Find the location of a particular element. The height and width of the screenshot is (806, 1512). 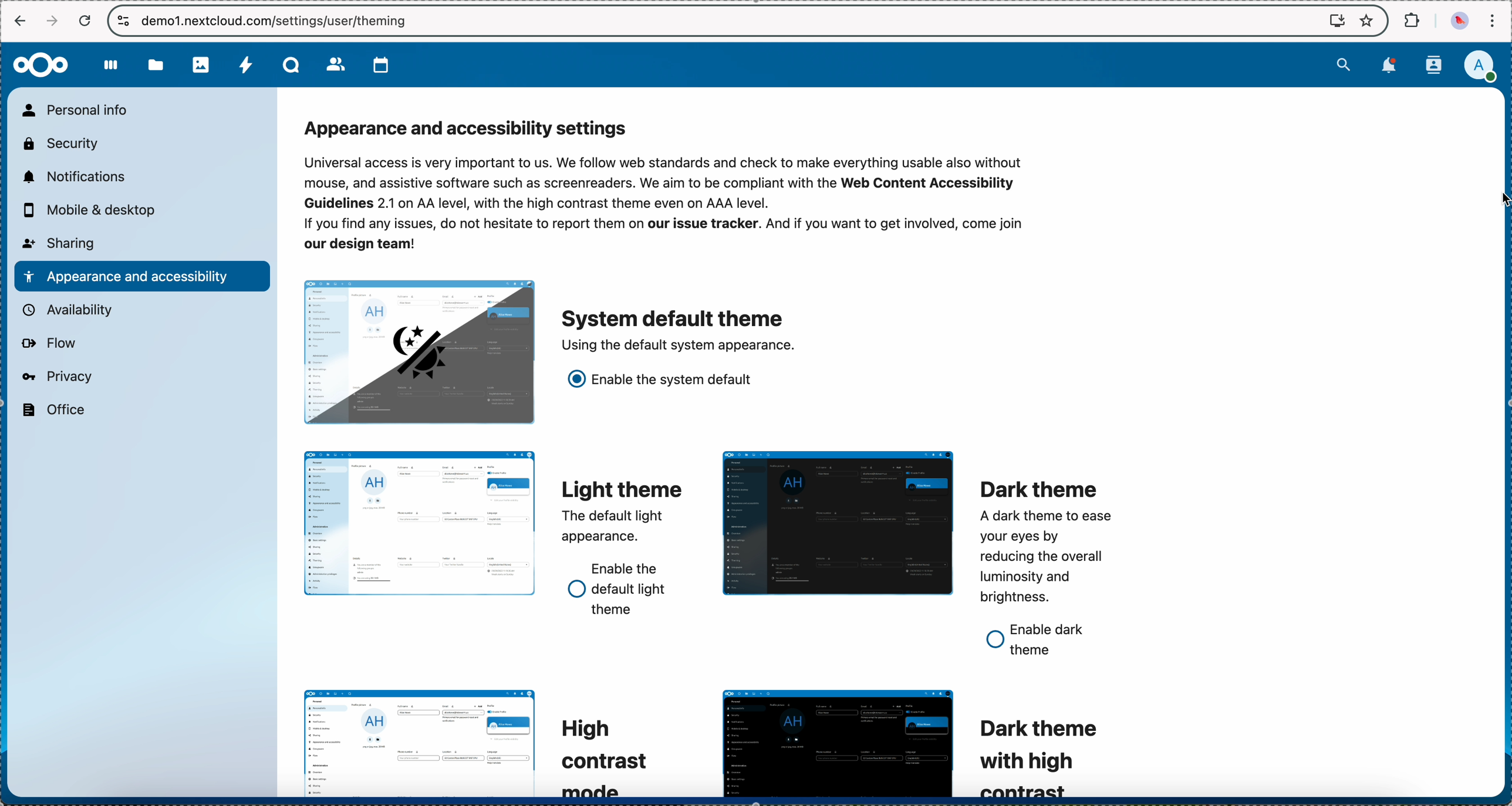

screen is located at coordinates (1331, 21).